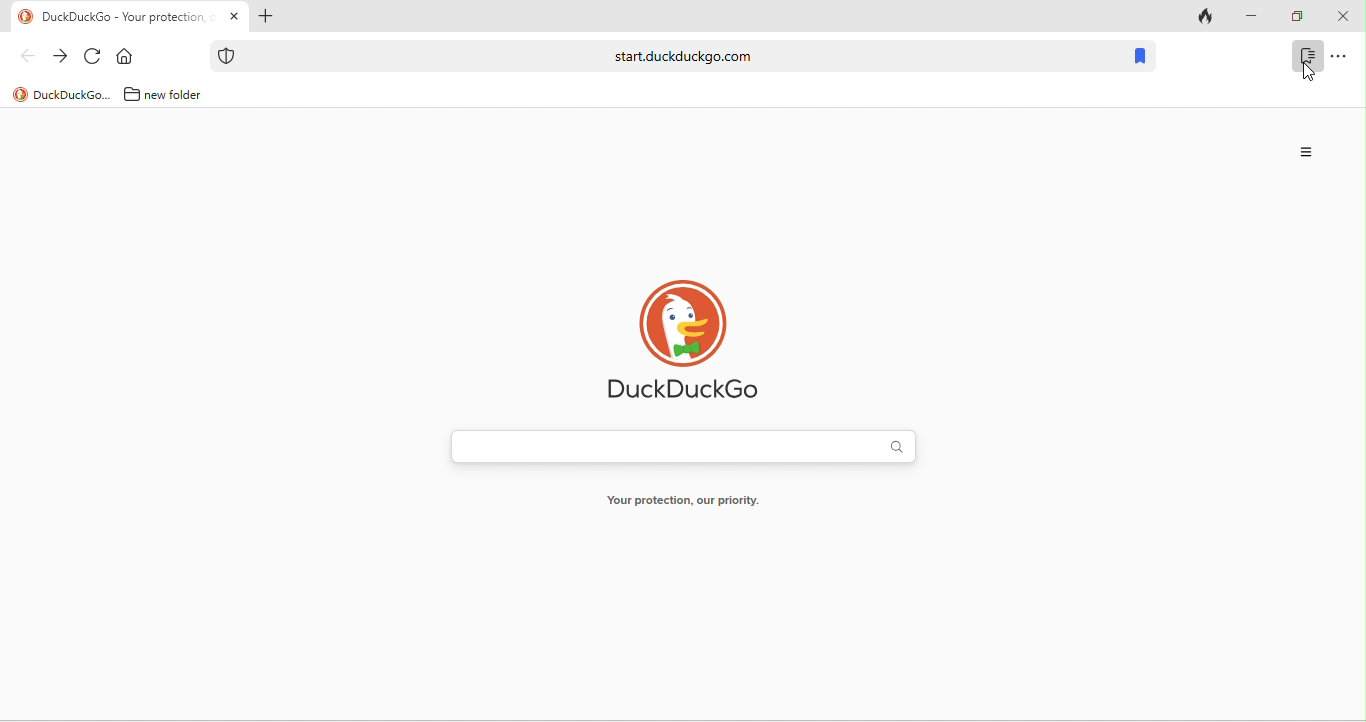 This screenshot has height=722, width=1366. I want to click on add tab, so click(265, 16).